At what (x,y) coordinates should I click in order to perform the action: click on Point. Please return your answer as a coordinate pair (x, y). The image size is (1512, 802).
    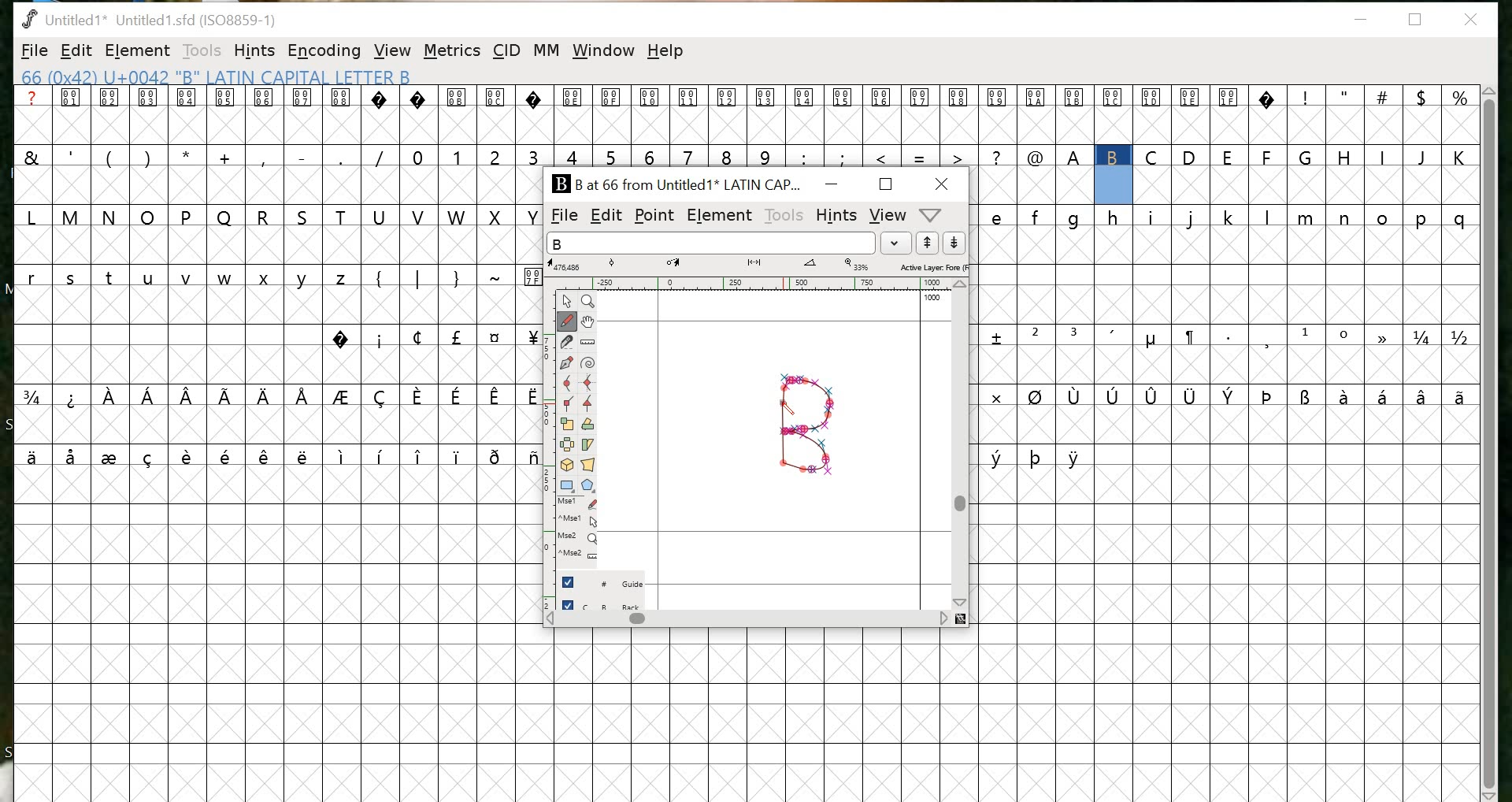
    Looking at the image, I should click on (568, 302).